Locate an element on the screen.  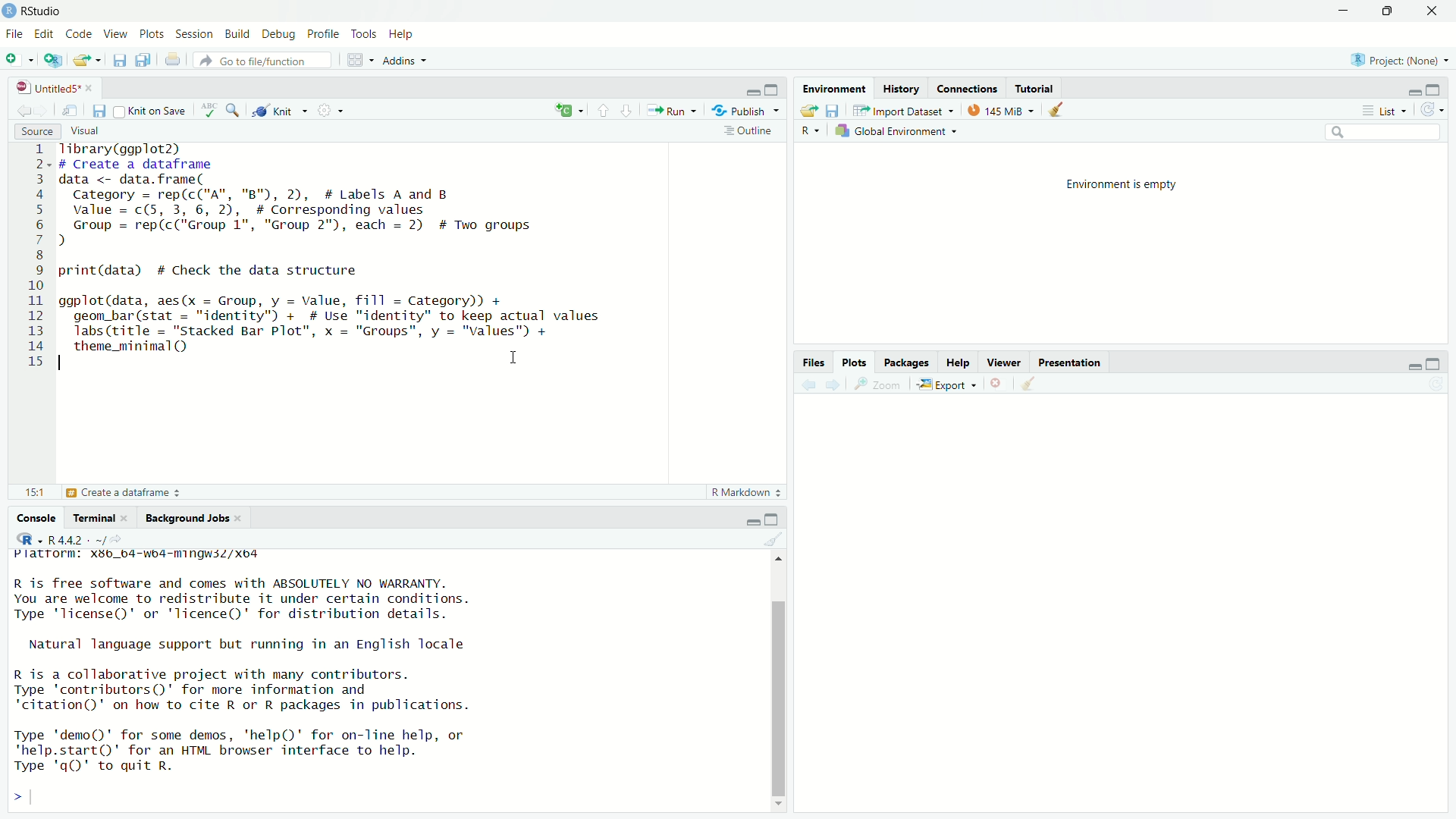
Go back to the previous source location (Ctrl + F9) is located at coordinates (19, 108).